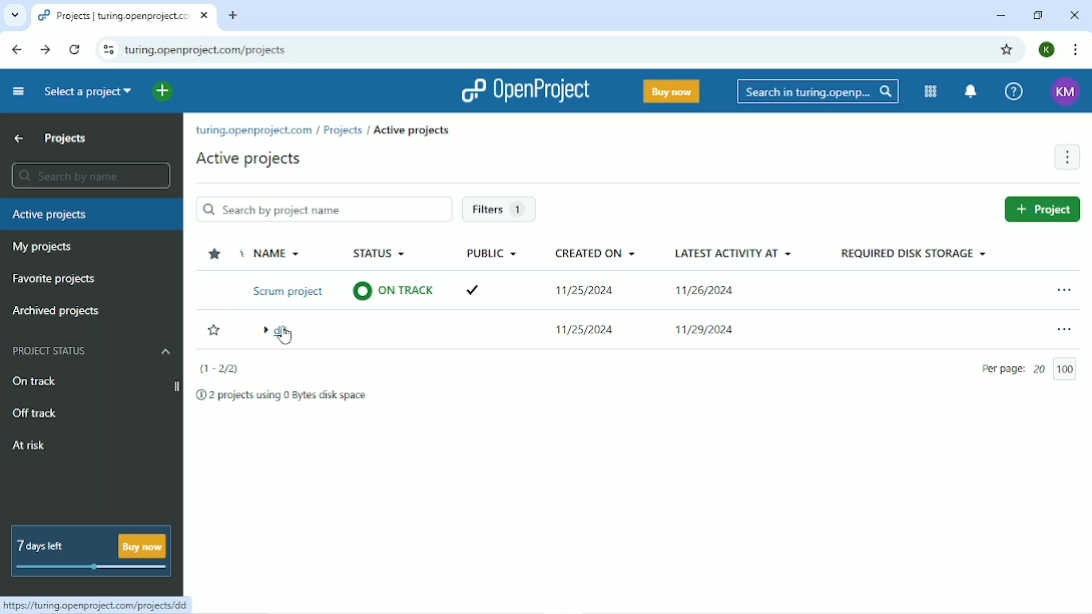 Image resolution: width=1092 pixels, height=614 pixels. What do you see at coordinates (286, 337) in the screenshot?
I see `CURSOR` at bounding box center [286, 337].